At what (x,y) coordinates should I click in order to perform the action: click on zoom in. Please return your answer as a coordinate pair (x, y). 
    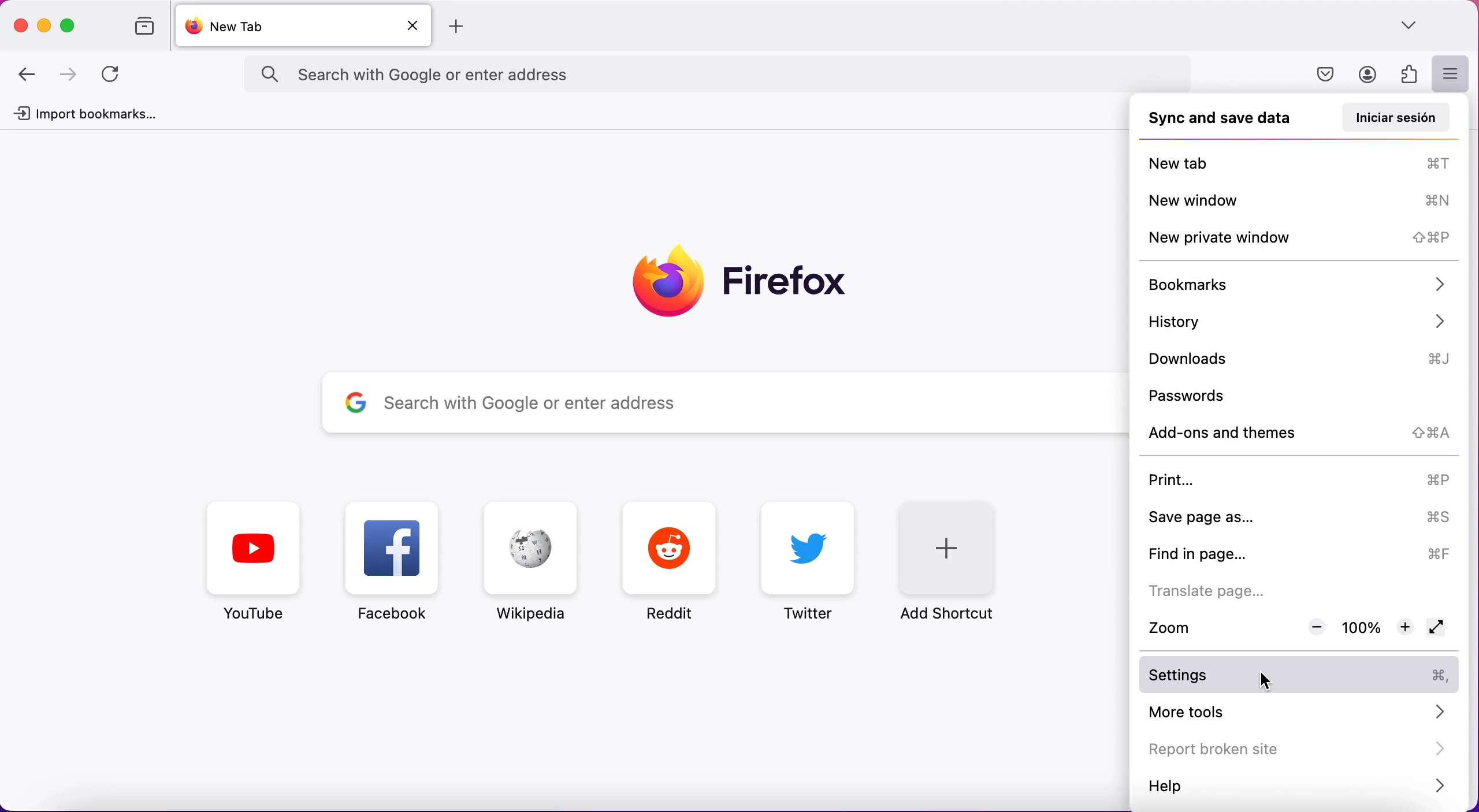
    Looking at the image, I should click on (1404, 628).